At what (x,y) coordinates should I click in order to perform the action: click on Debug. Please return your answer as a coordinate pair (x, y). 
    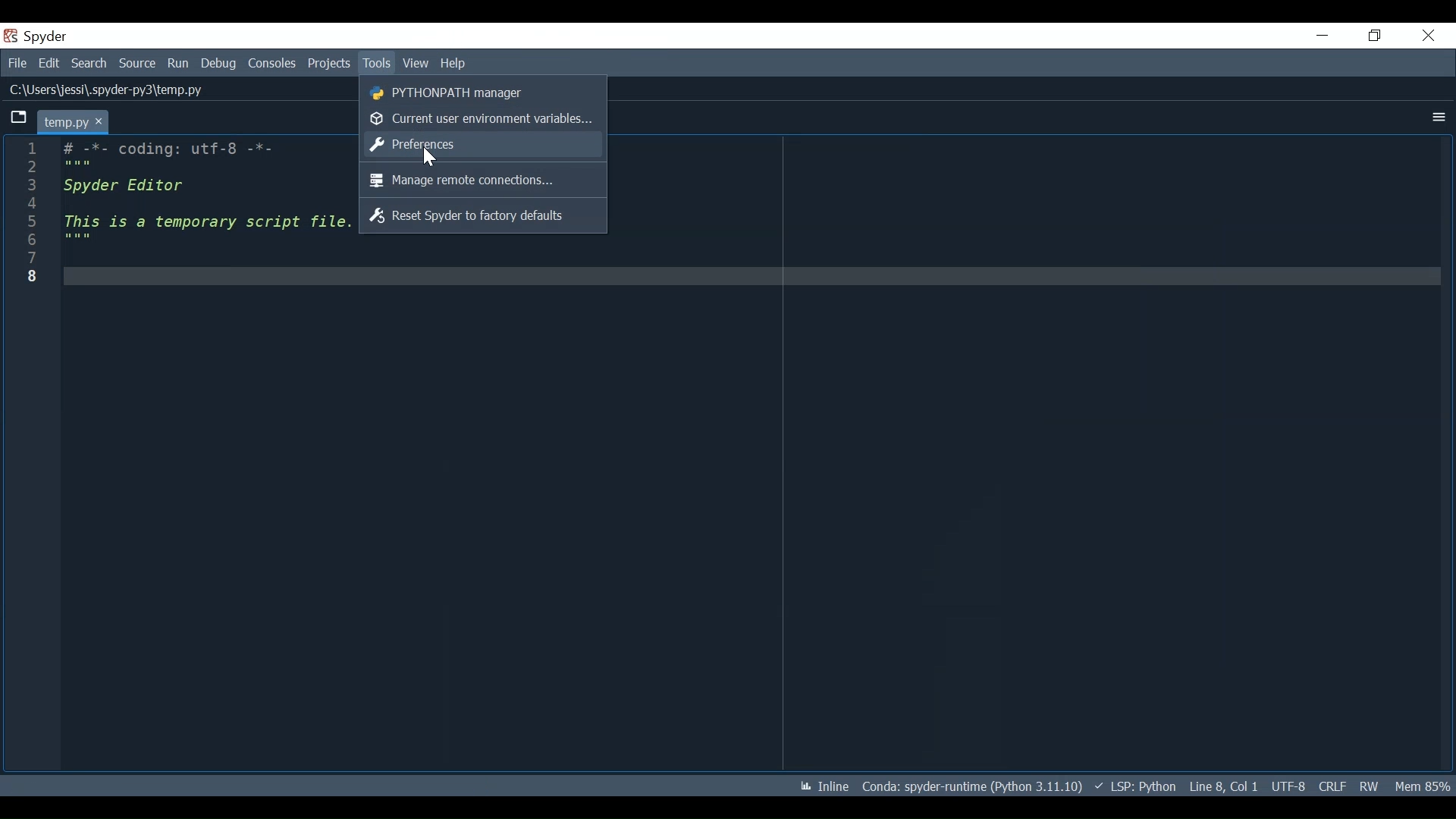
    Looking at the image, I should click on (220, 65).